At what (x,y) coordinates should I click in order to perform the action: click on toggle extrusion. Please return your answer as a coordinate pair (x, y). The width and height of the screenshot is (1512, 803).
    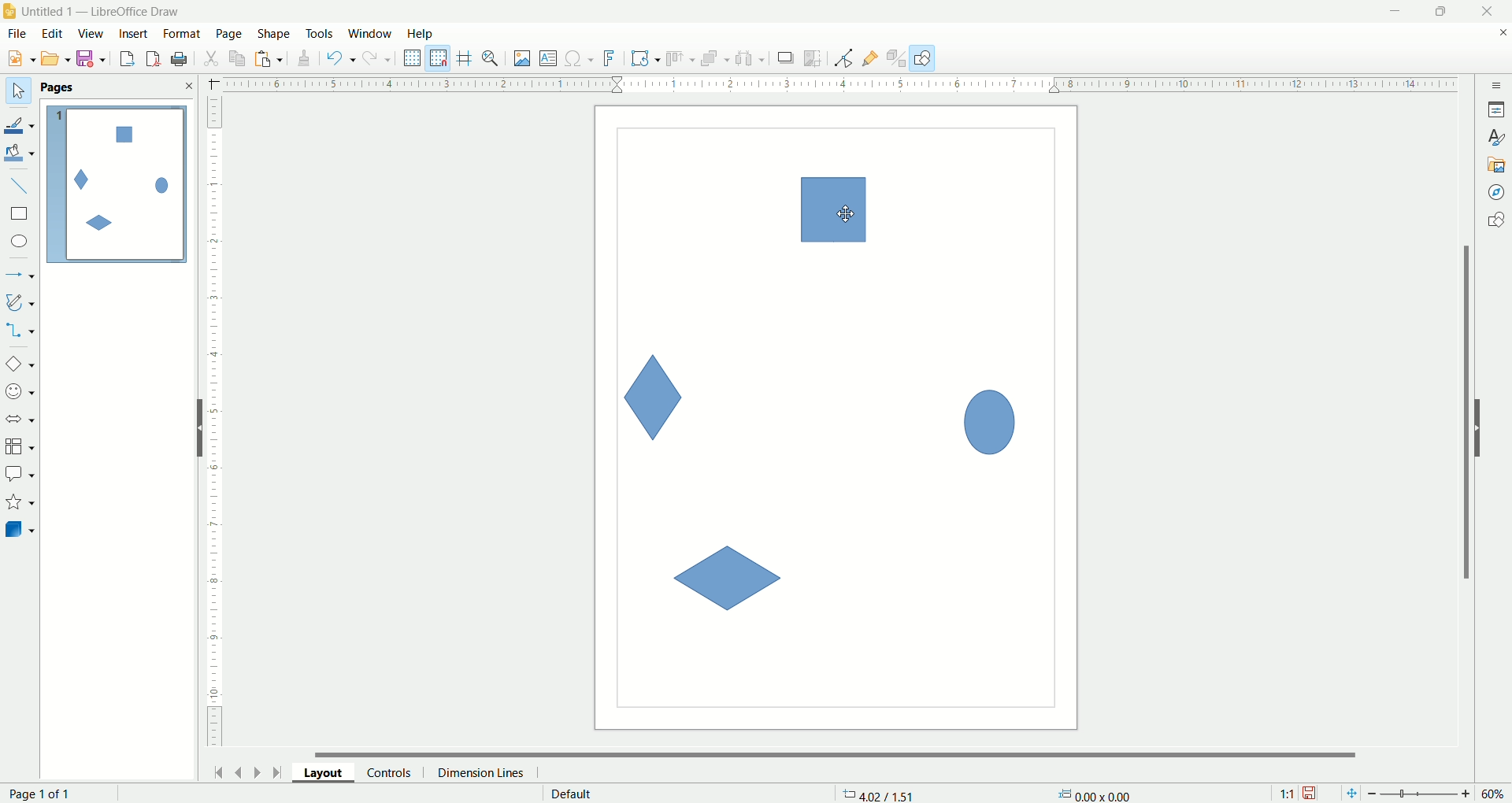
    Looking at the image, I should click on (896, 58).